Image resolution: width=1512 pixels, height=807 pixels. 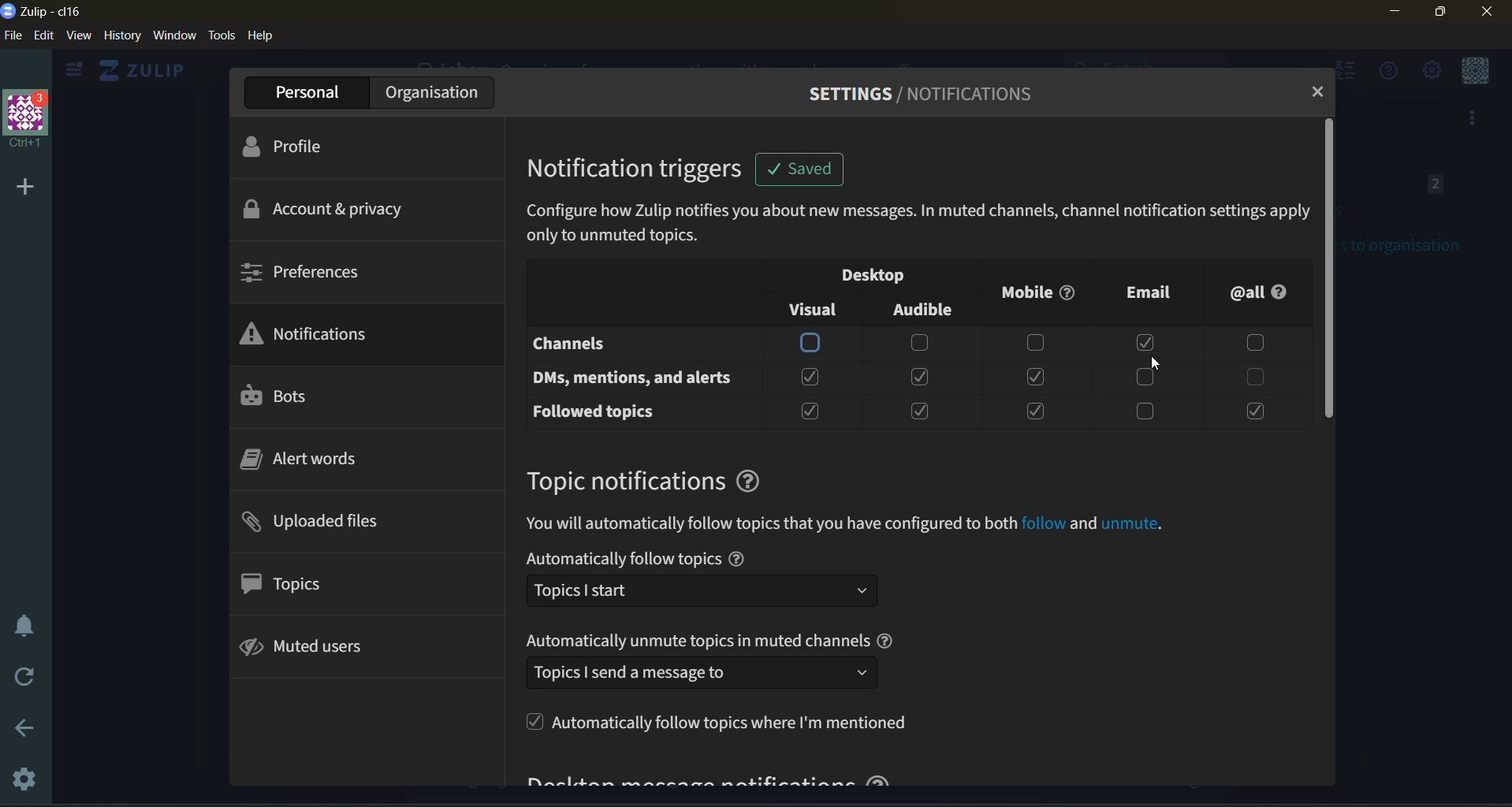 I want to click on account and privacy, so click(x=330, y=208).